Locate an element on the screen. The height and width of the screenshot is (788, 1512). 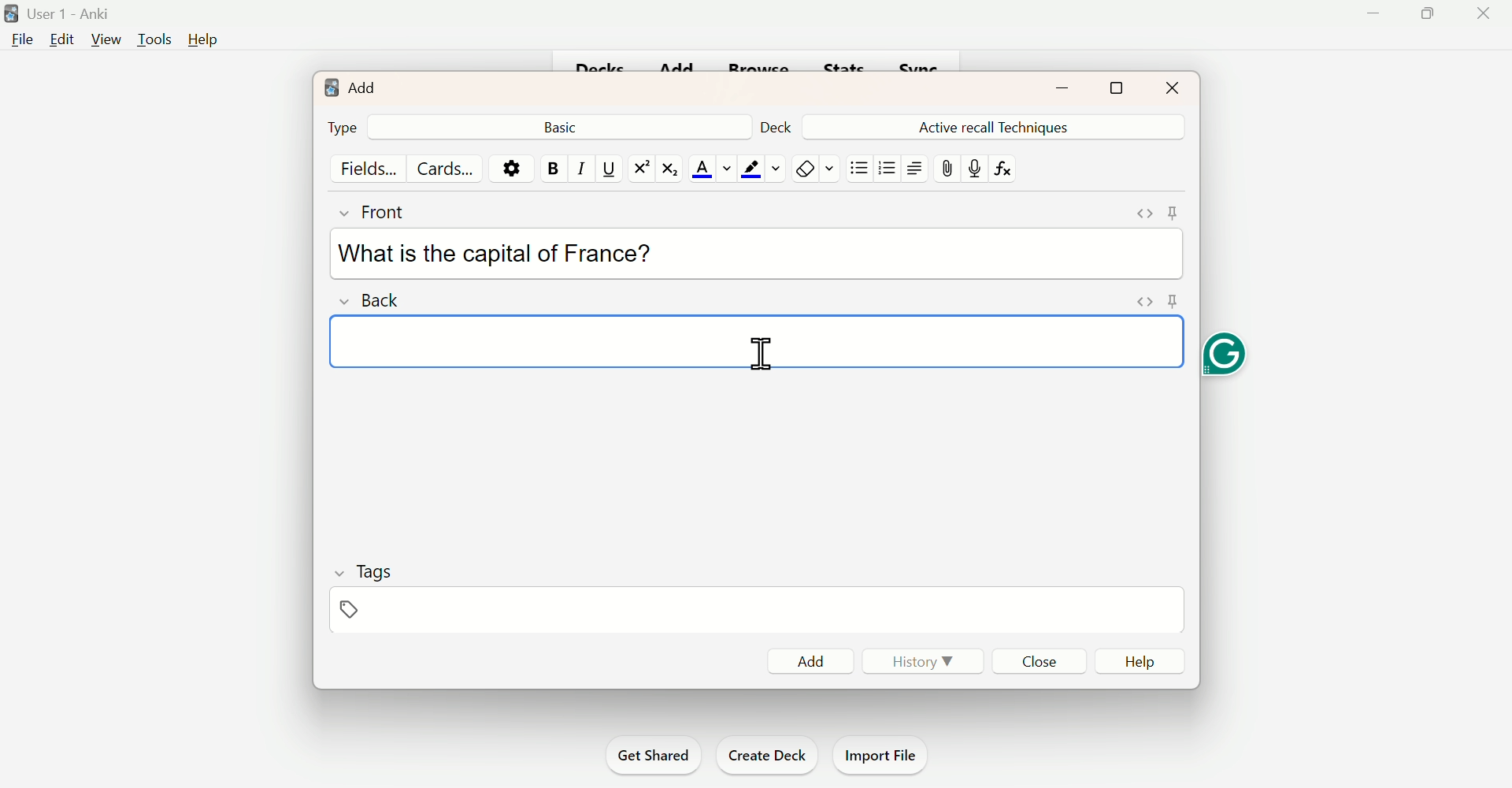
Import File is located at coordinates (884, 755).